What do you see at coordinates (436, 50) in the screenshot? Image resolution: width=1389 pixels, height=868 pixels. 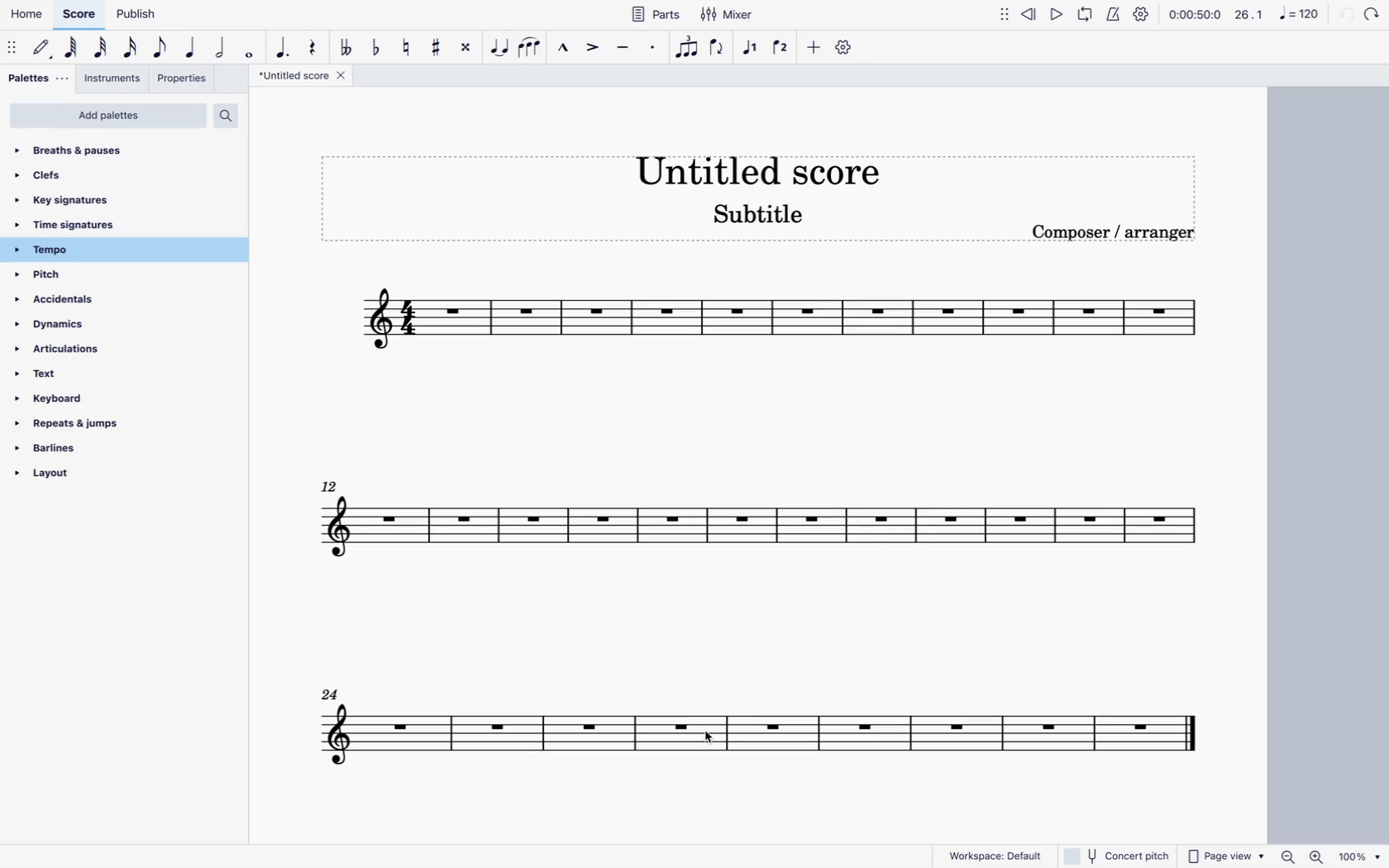 I see `toggle sharp` at bounding box center [436, 50].